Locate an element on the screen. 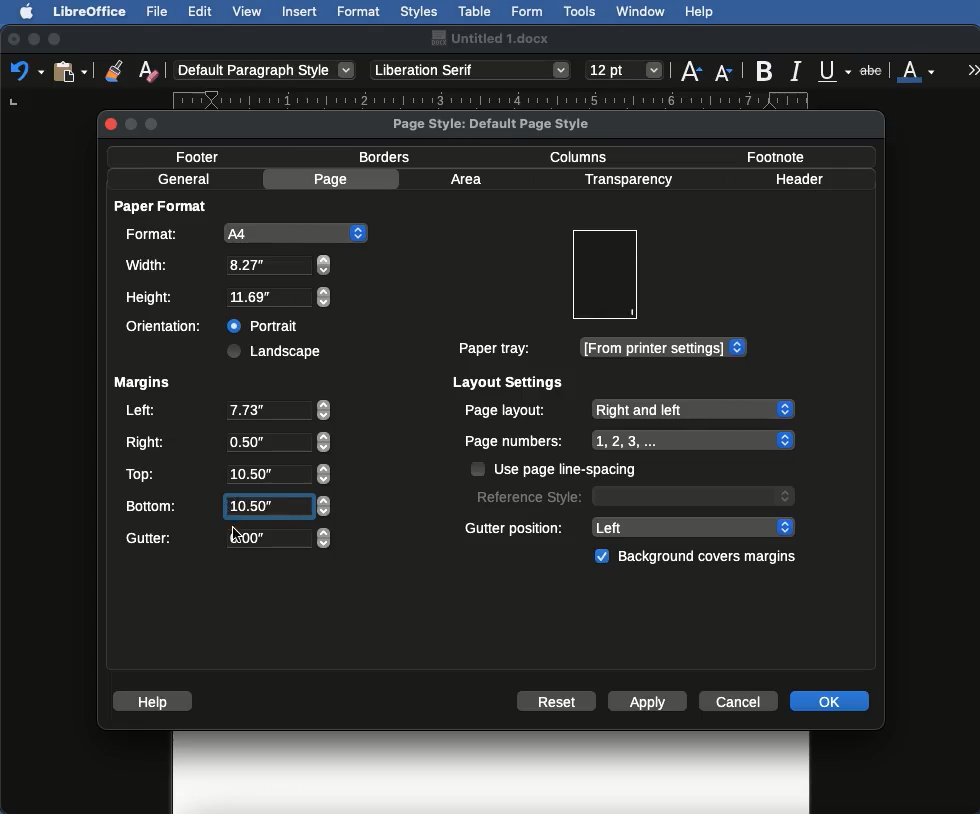 This screenshot has width=980, height=814. Underline is located at coordinates (836, 72).